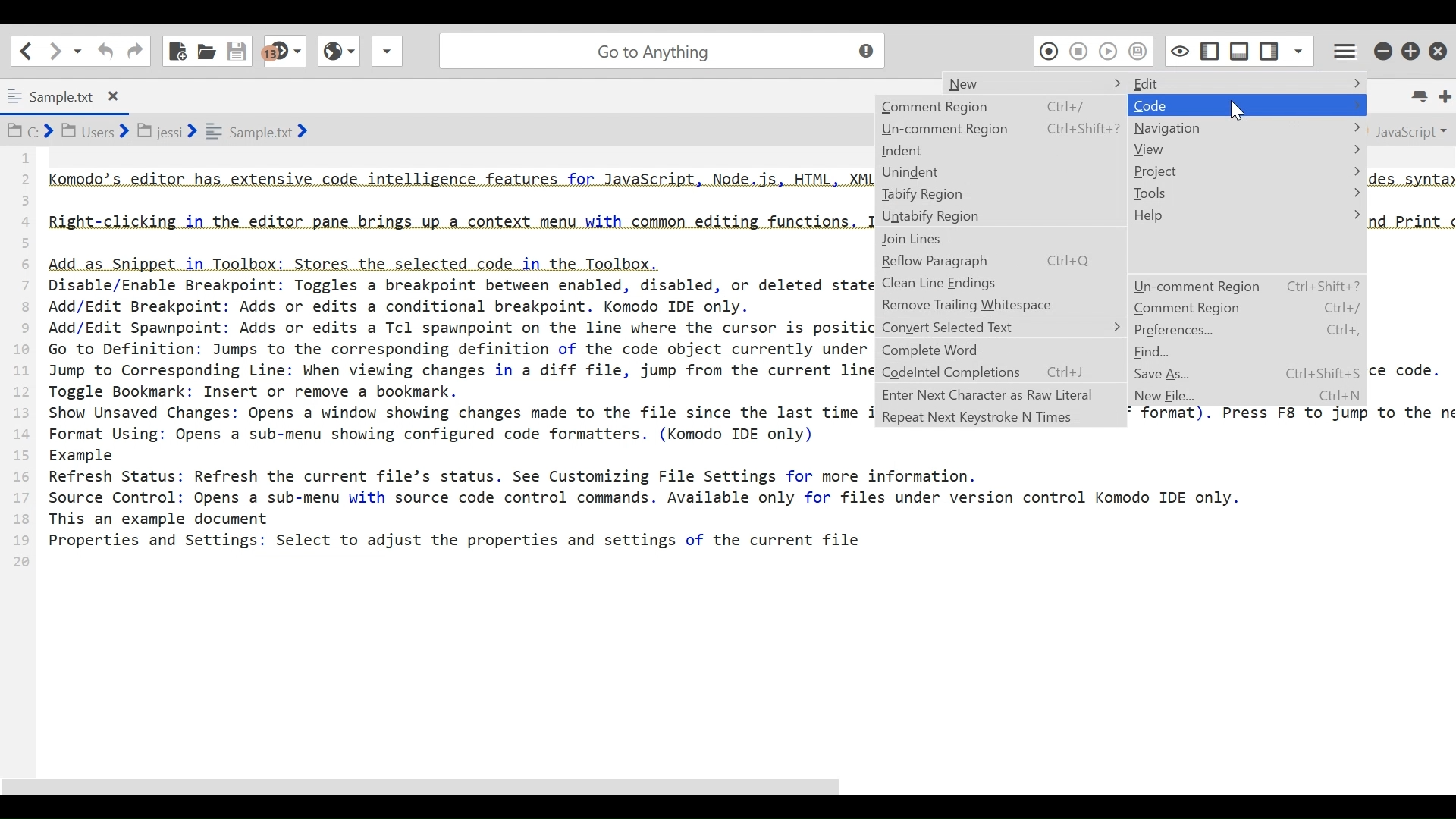 The height and width of the screenshot is (819, 1456). Describe the element at coordinates (1170, 397) in the screenshot. I see `New File` at that location.